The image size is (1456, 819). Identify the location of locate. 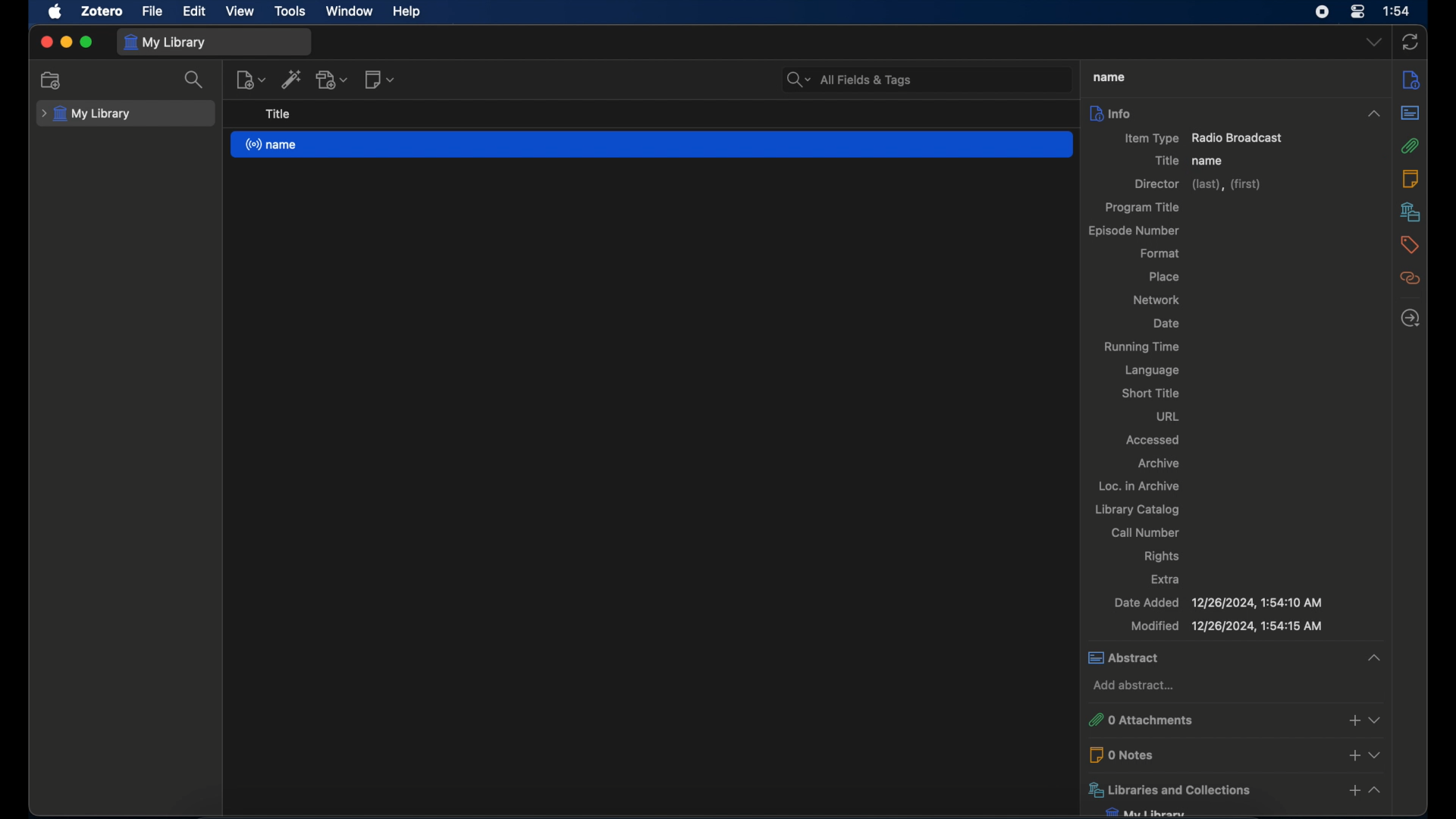
(1410, 318).